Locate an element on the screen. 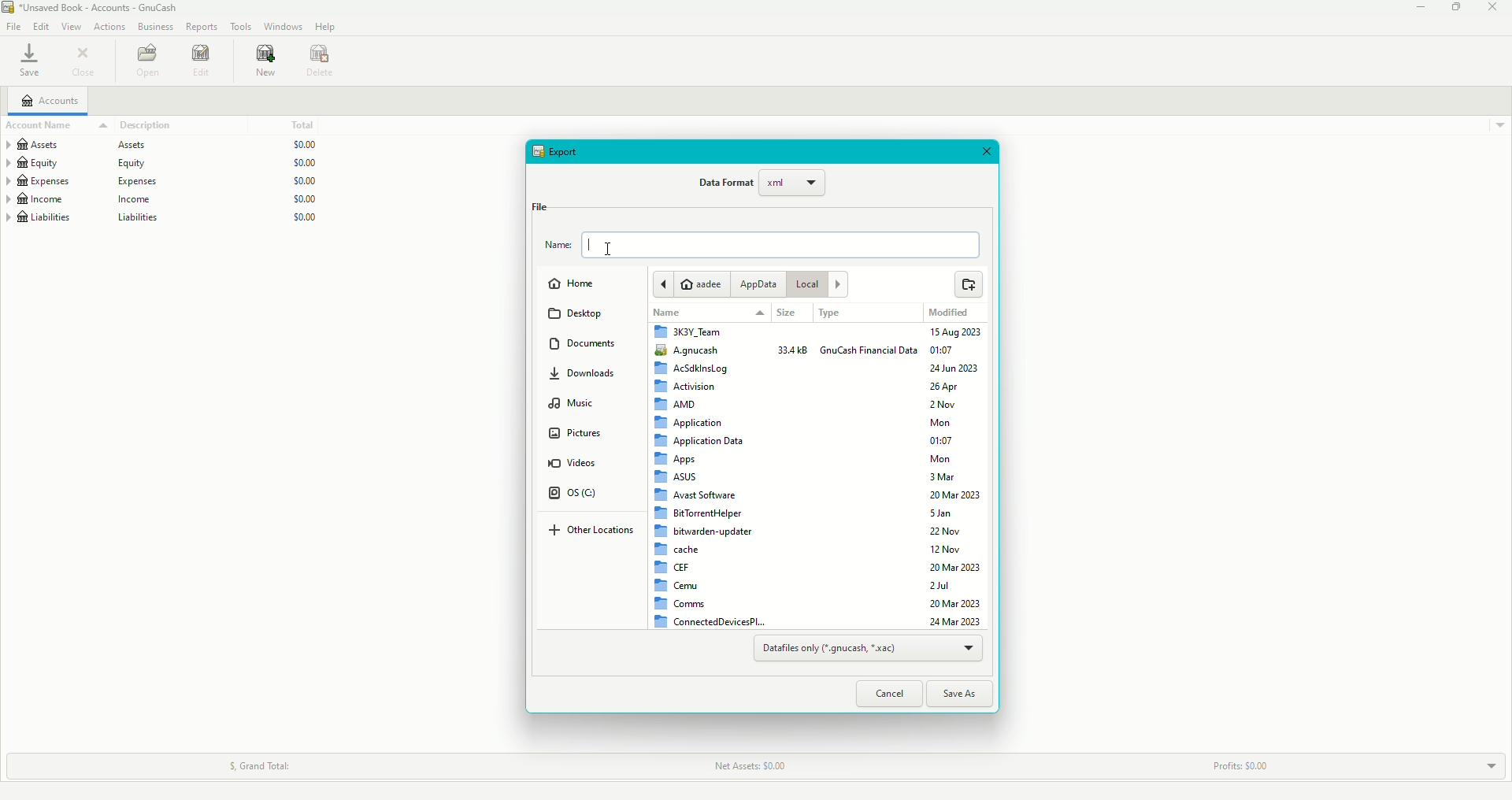  Assets is located at coordinates (163, 143).